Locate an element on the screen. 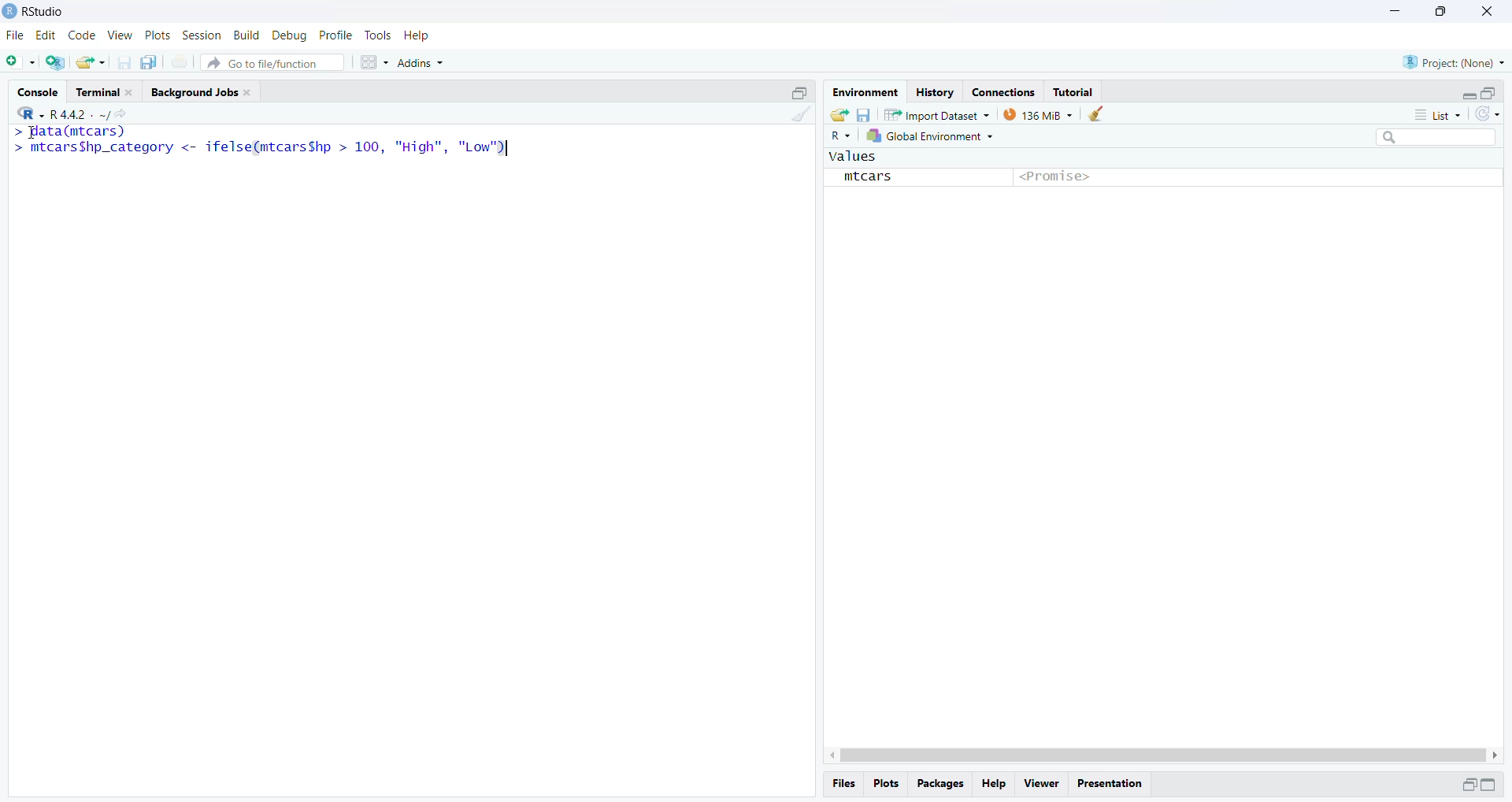 This screenshot has width=1512, height=802. Terminal is located at coordinates (106, 91).